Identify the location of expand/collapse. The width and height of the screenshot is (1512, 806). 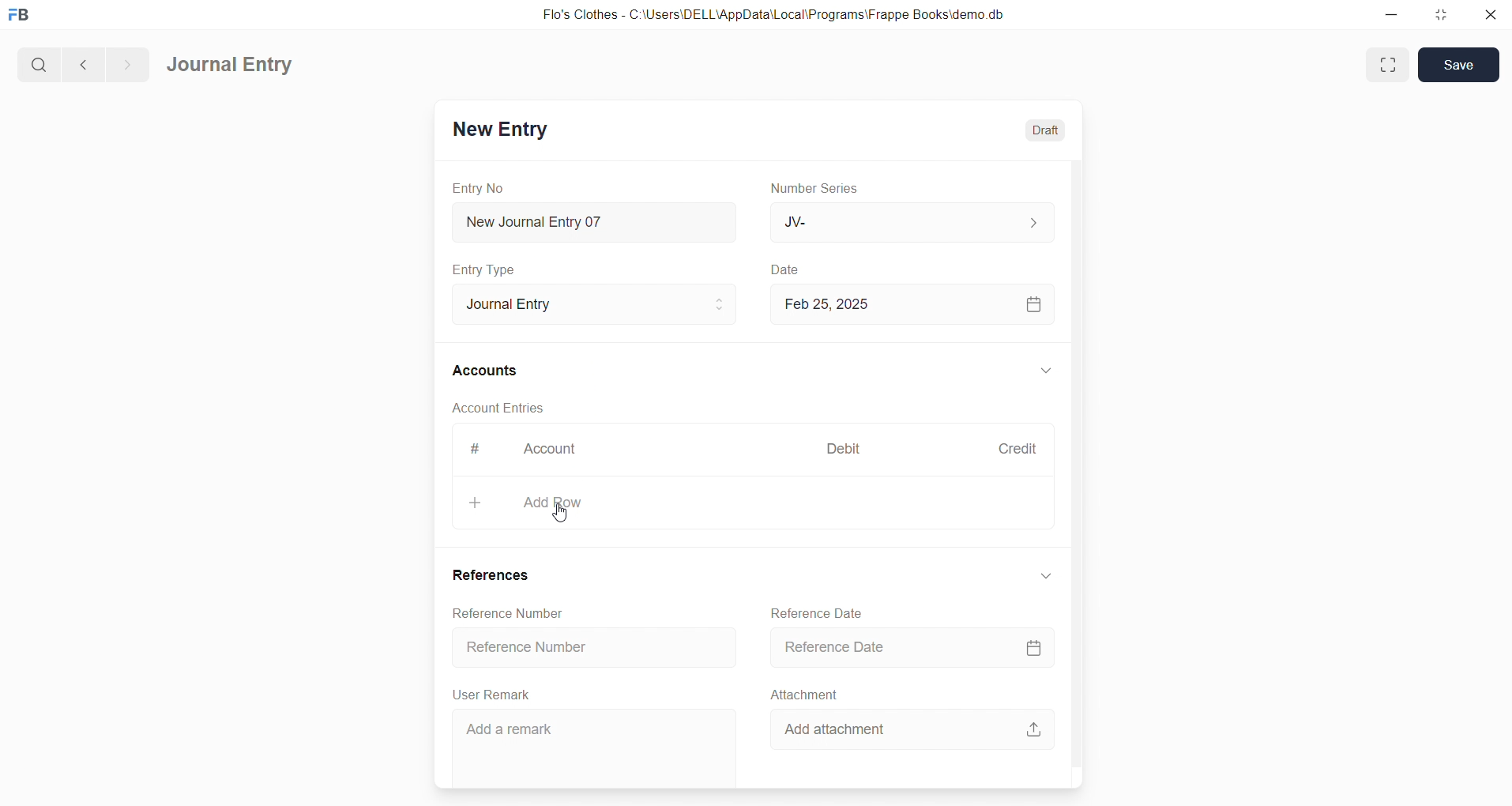
(1044, 576).